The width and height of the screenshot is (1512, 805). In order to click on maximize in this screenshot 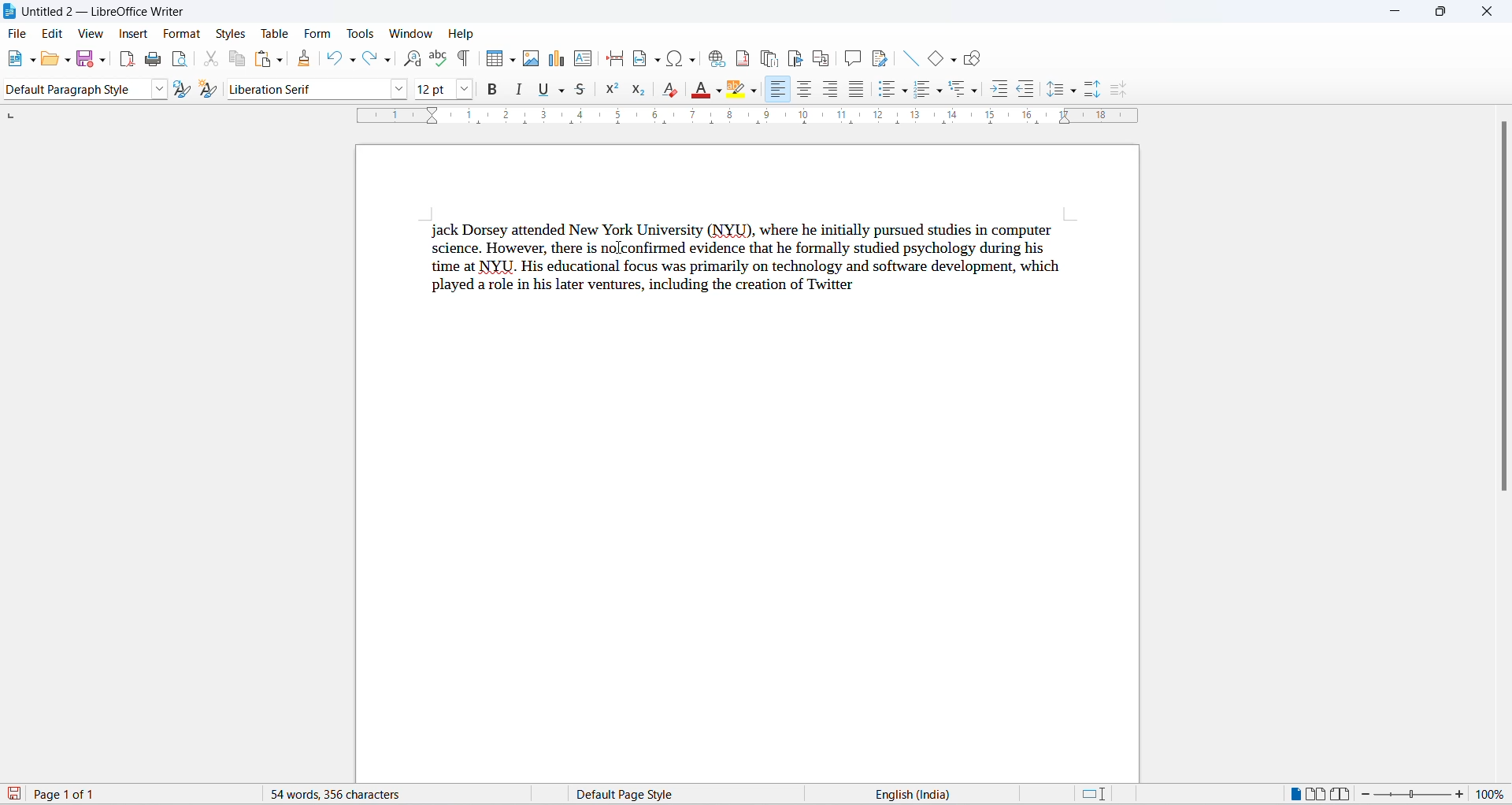, I will do `click(1440, 13)`.